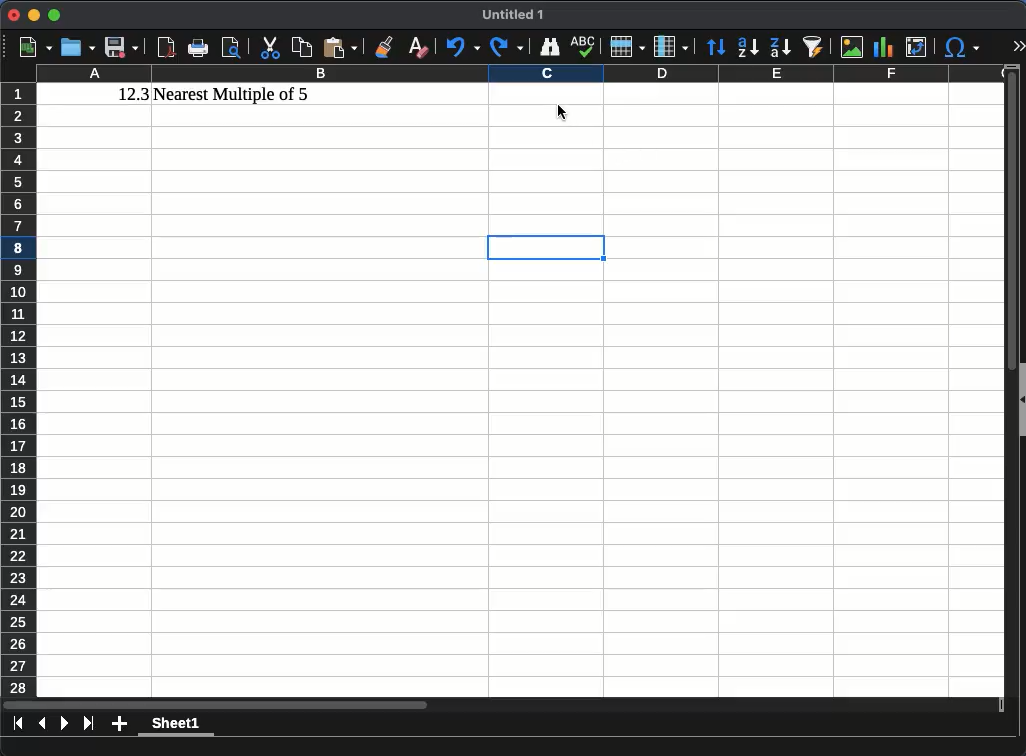 The height and width of the screenshot is (756, 1026). I want to click on pdf reader, so click(167, 48).